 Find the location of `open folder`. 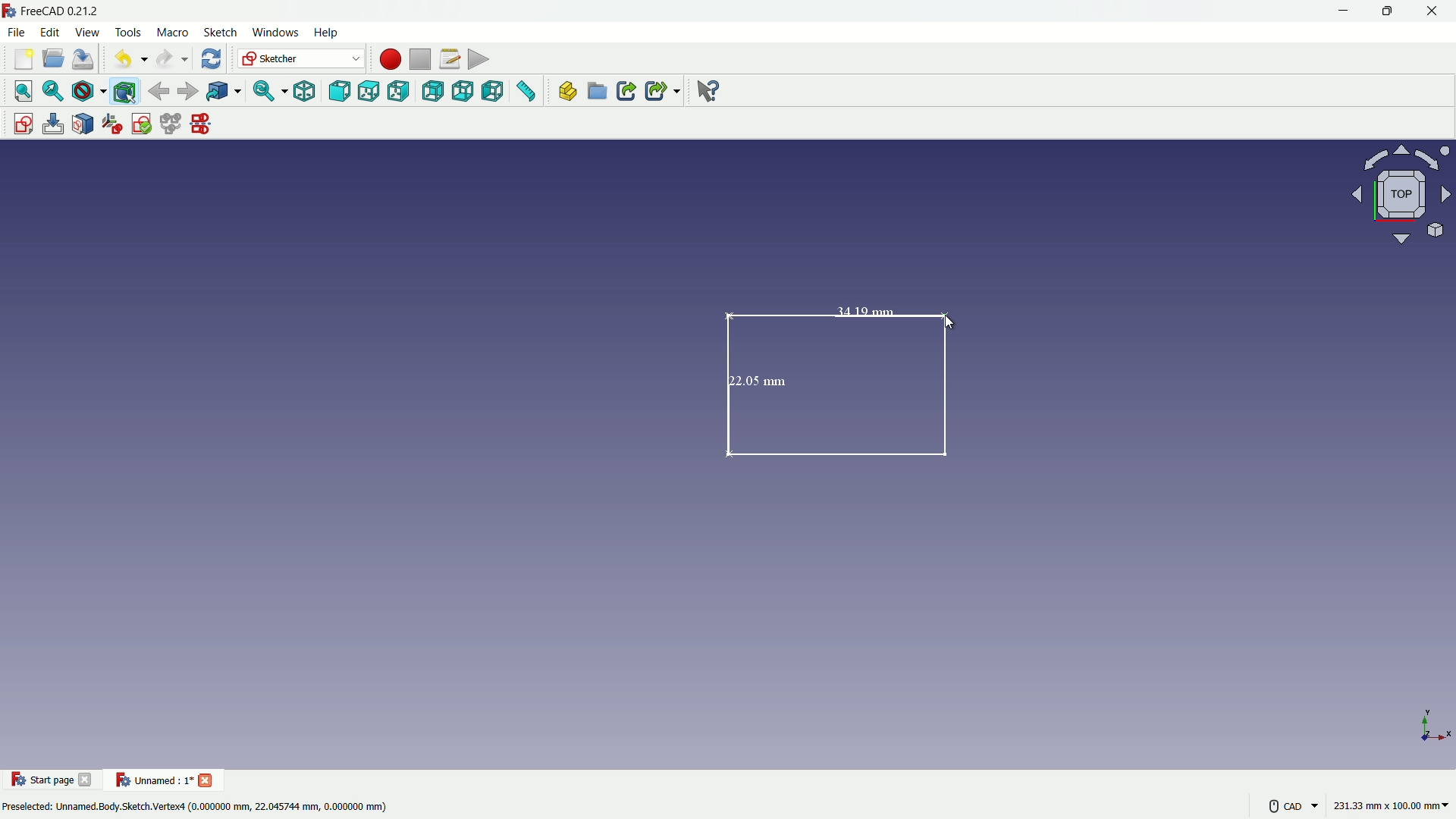

open folder is located at coordinates (52, 60).